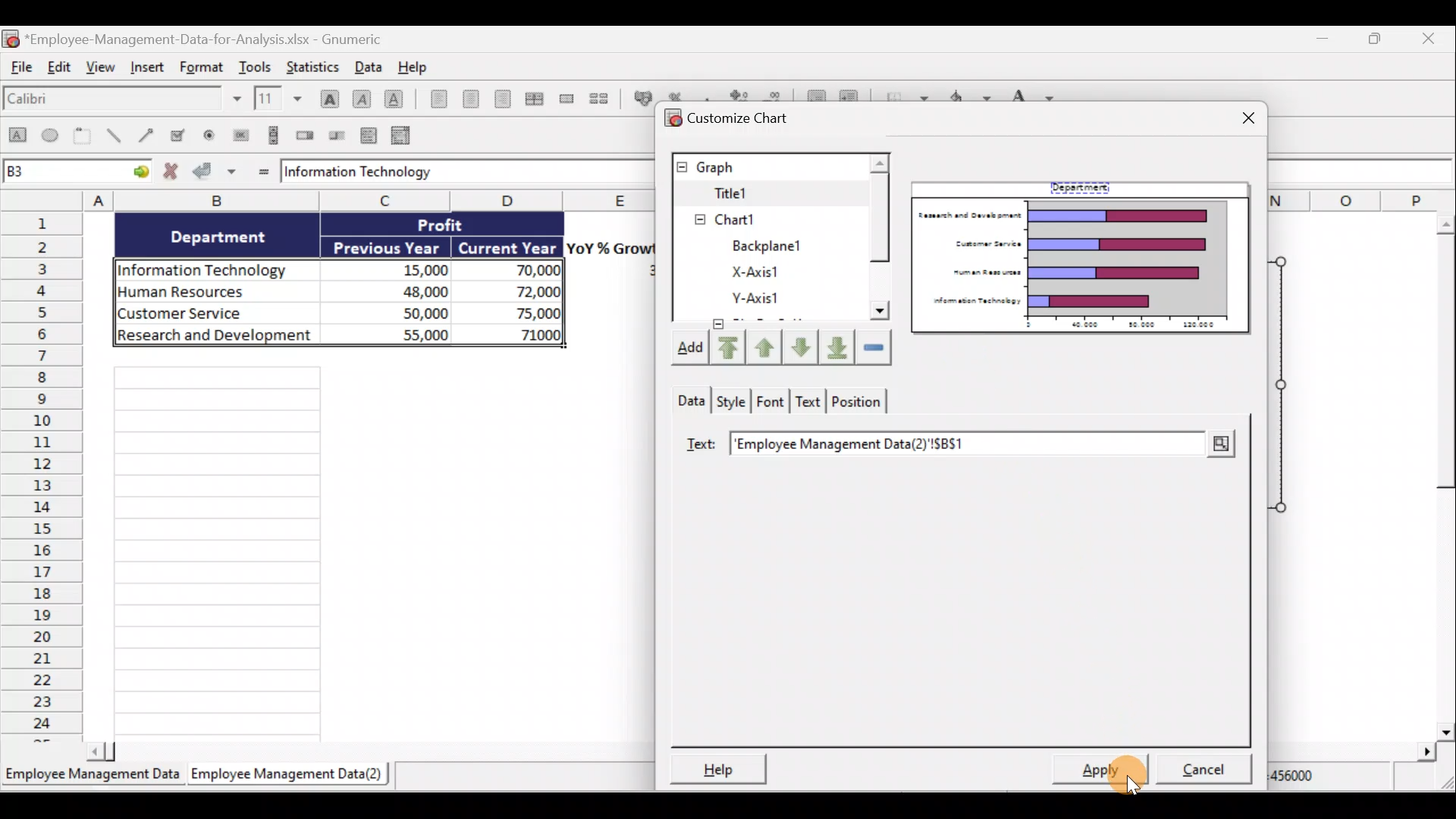 This screenshot has height=819, width=1456. Describe the element at coordinates (220, 315) in the screenshot. I see `Customer Service` at that location.